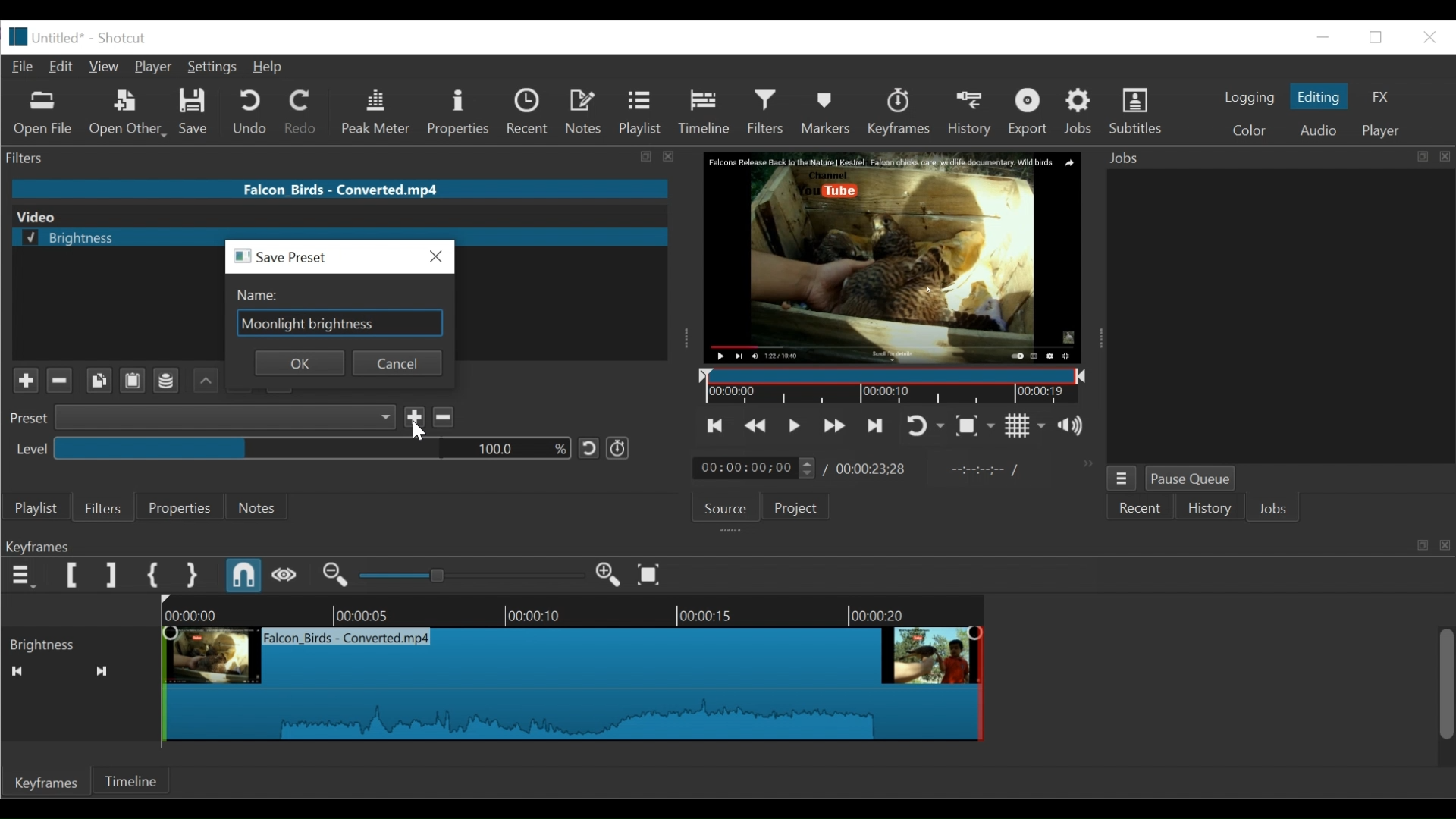 This screenshot has height=819, width=1456. Describe the element at coordinates (304, 113) in the screenshot. I see `Redo` at that location.